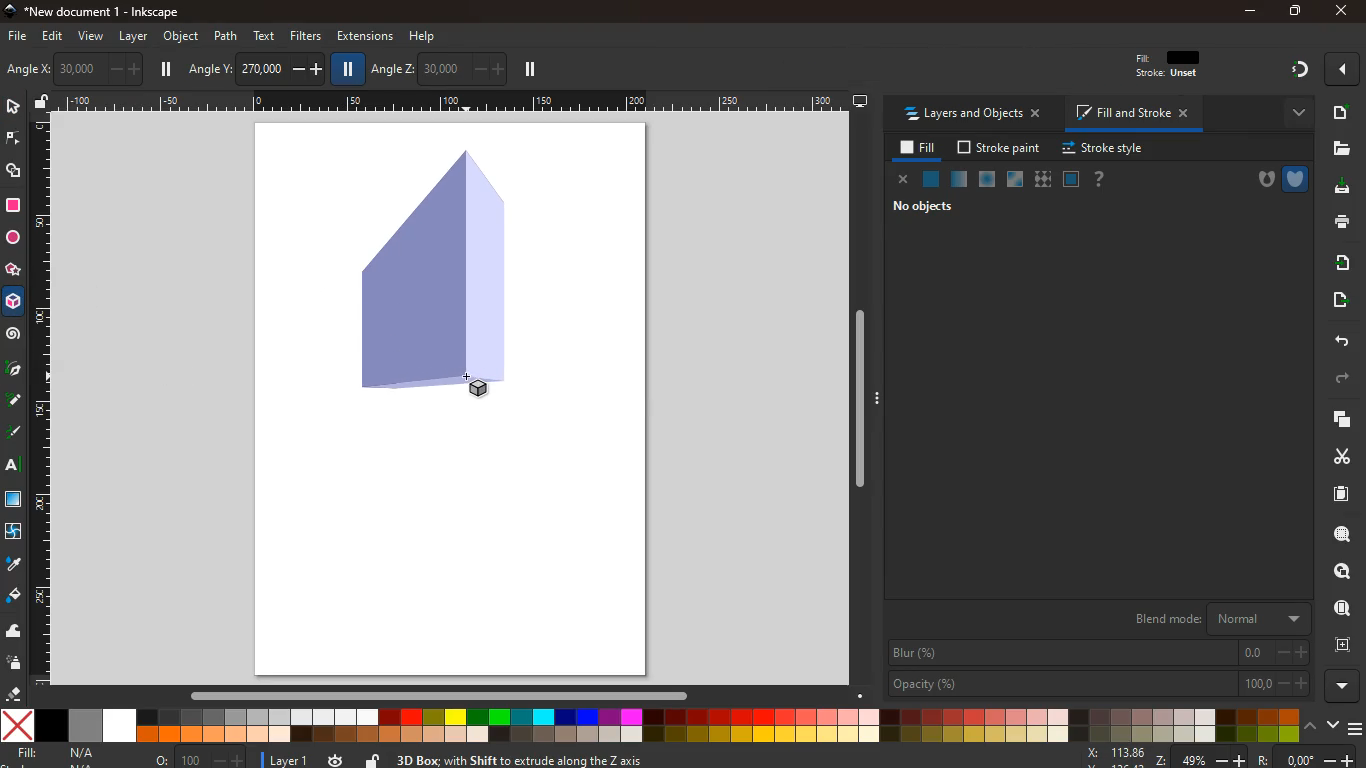  I want to click on armour, so click(1295, 178).